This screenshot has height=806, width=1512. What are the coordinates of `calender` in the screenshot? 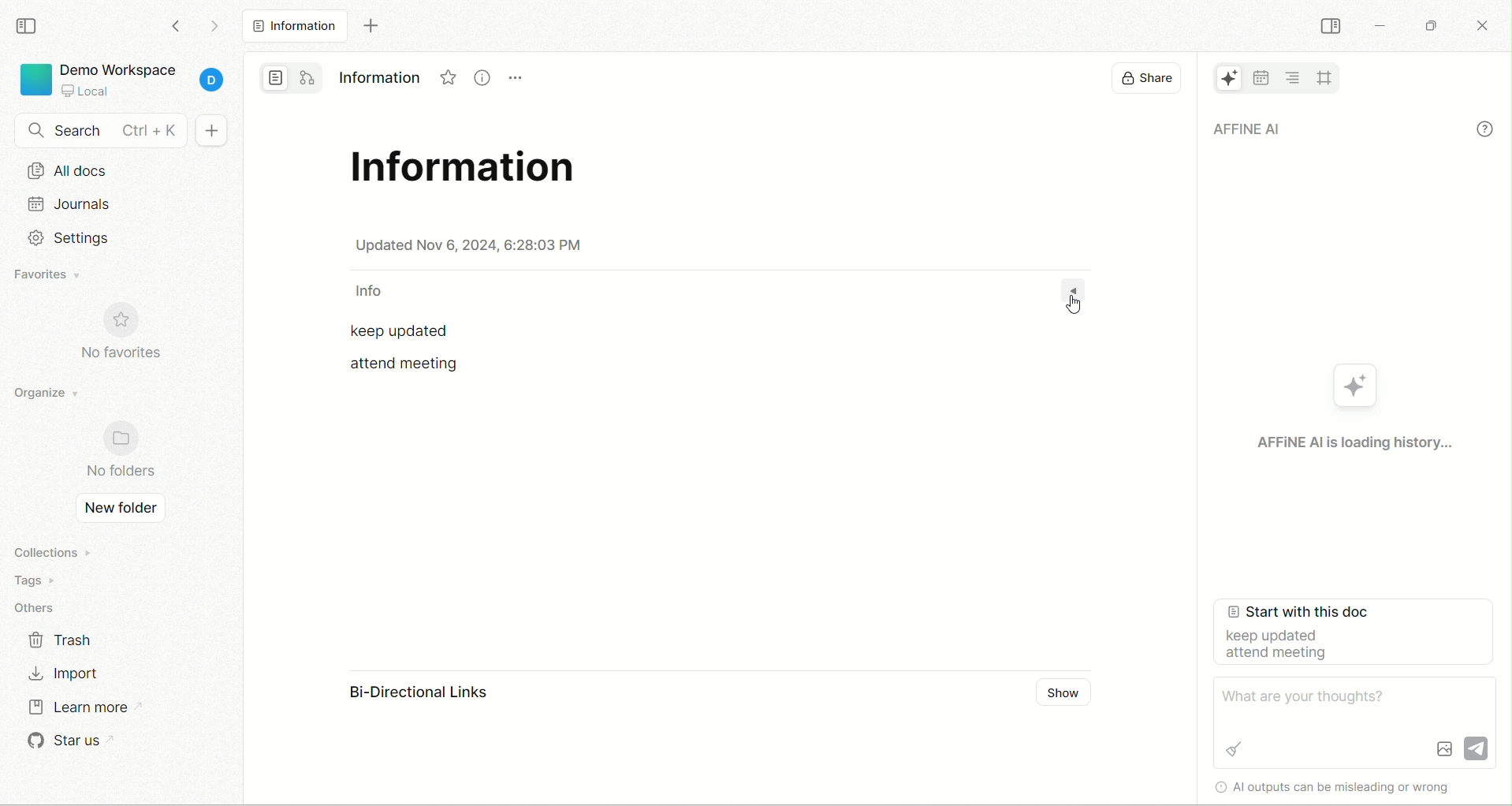 It's located at (1261, 77).